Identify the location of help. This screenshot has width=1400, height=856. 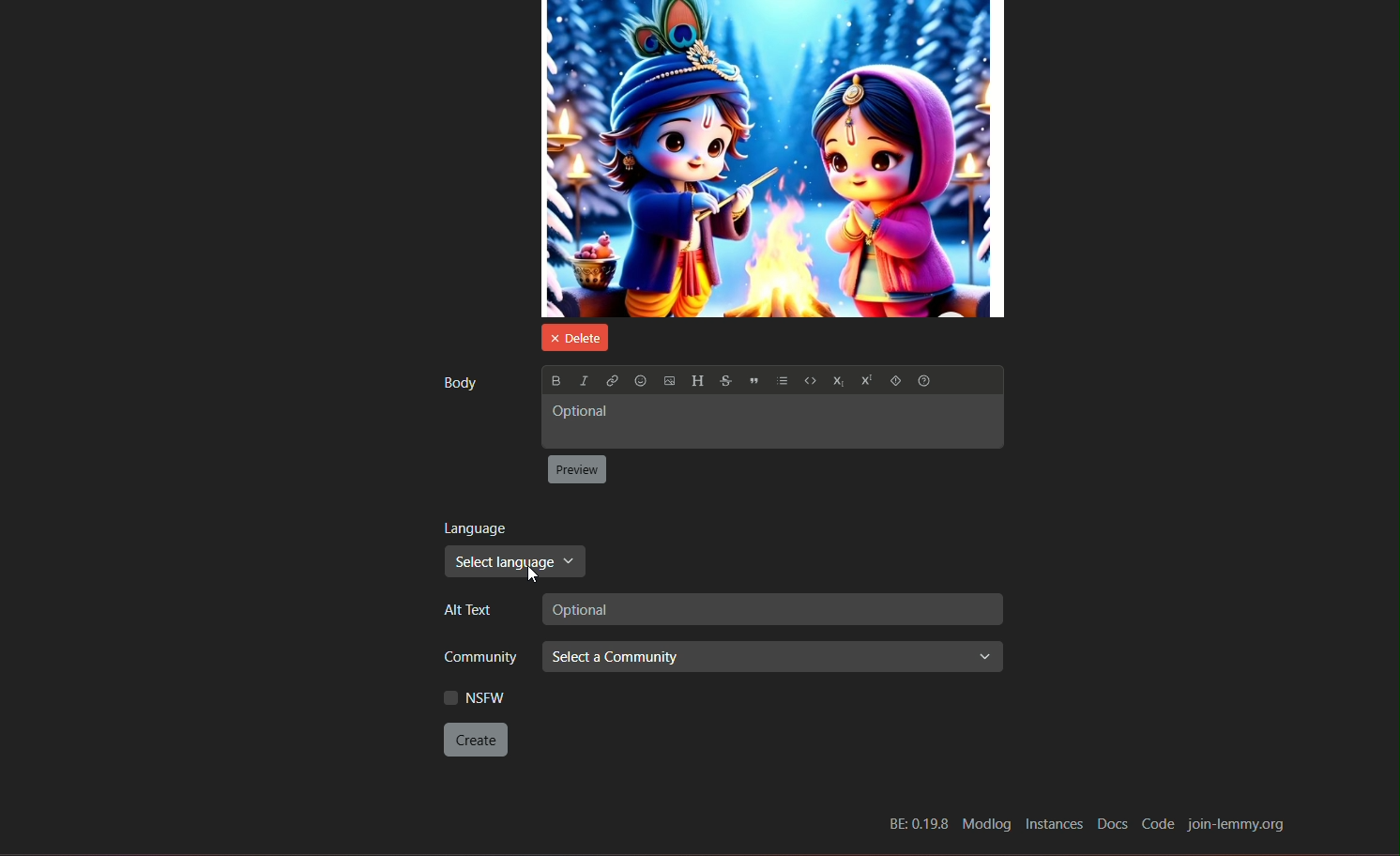
(927, 382).